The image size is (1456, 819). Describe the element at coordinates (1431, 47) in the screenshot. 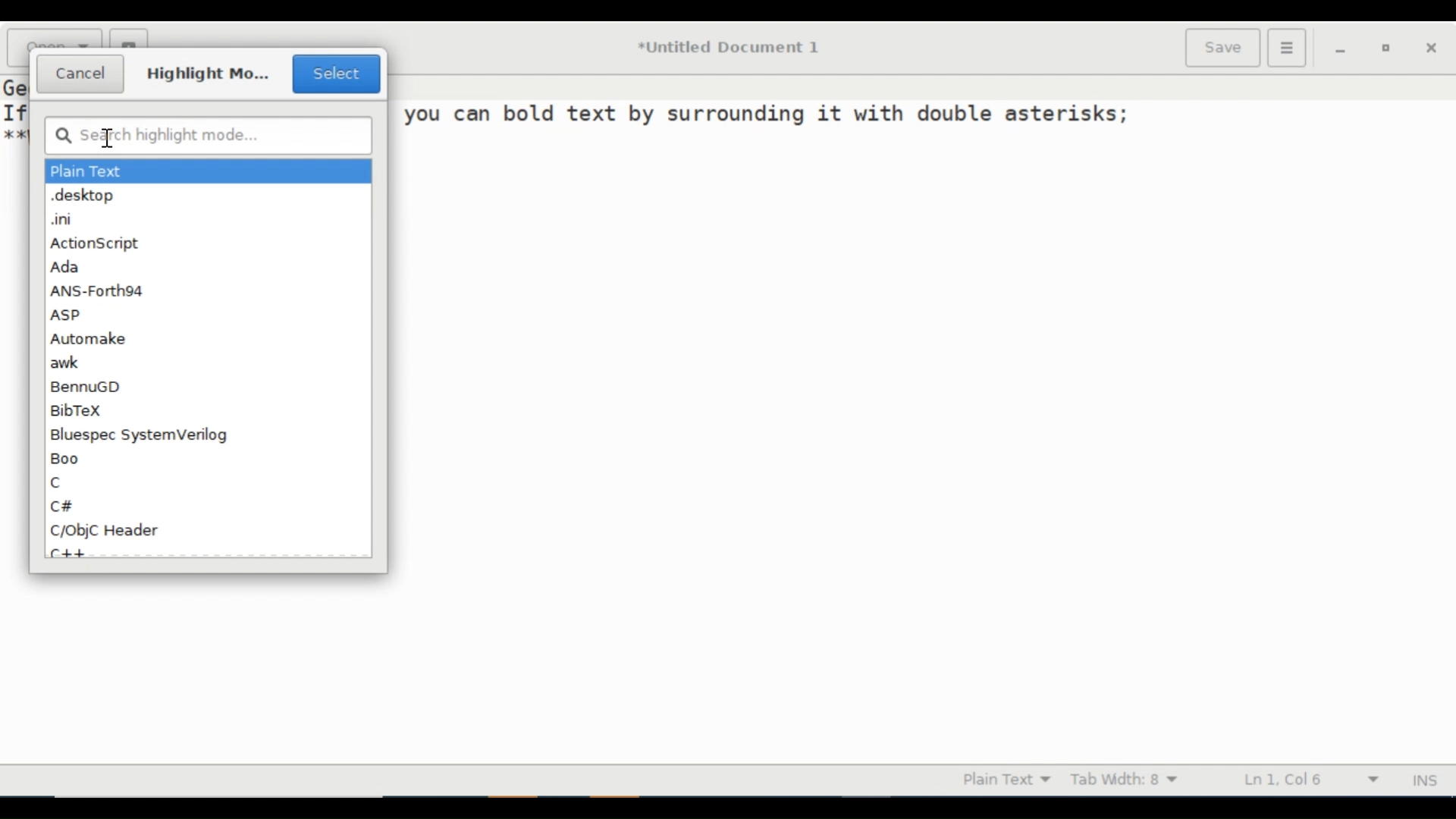

I see `close` at that location.